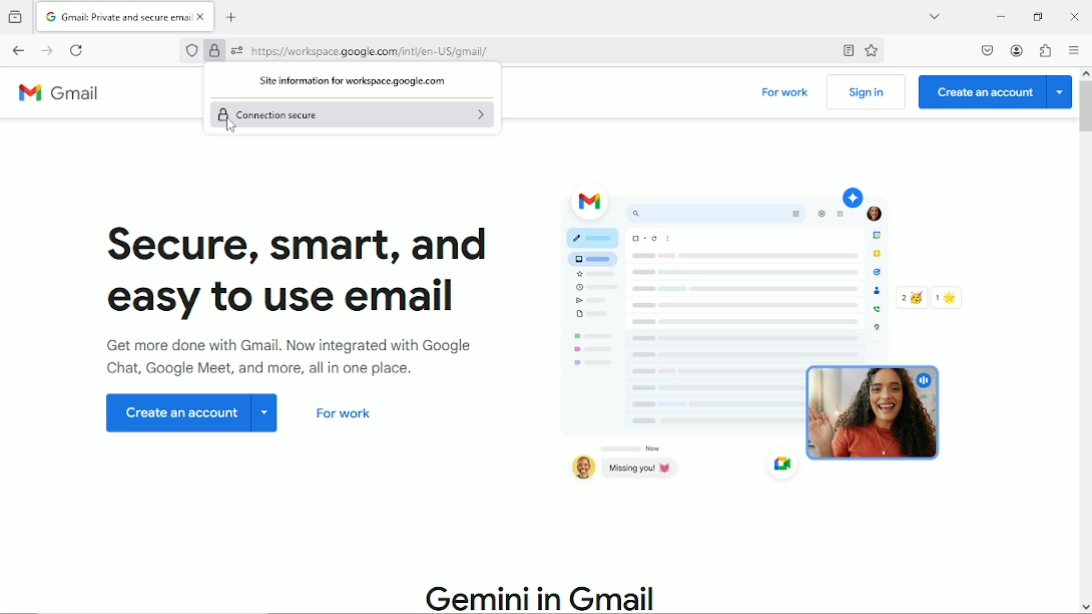 The image size is (1092, 614). What do you see at coordinates (869, 93) in the screenshot?
I see `Sign in` at bounding box center [869, 93].